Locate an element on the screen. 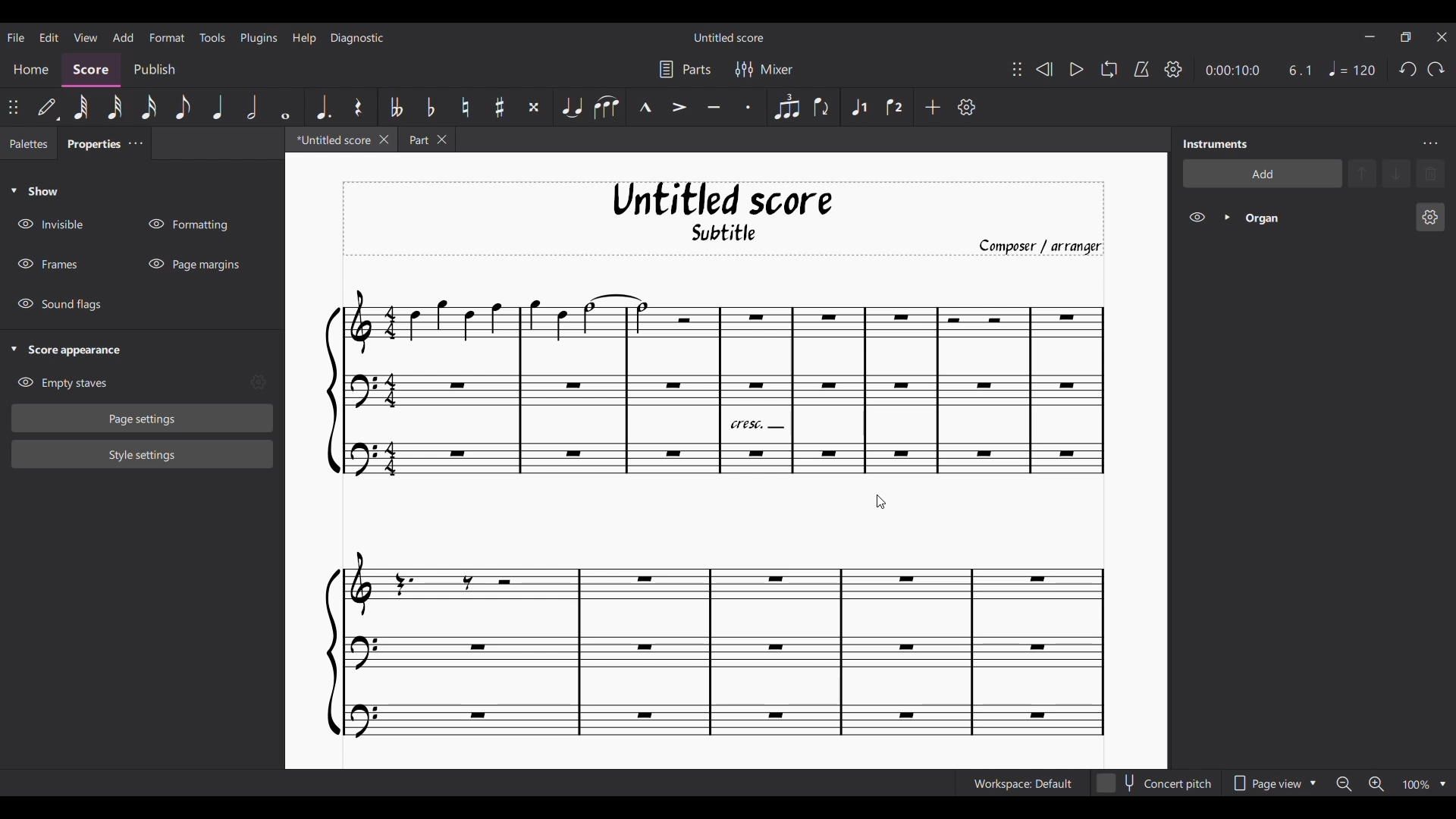 The width and height of the screenshot is (1456, 819). Zoom out is located at coordinates (1344, 783).